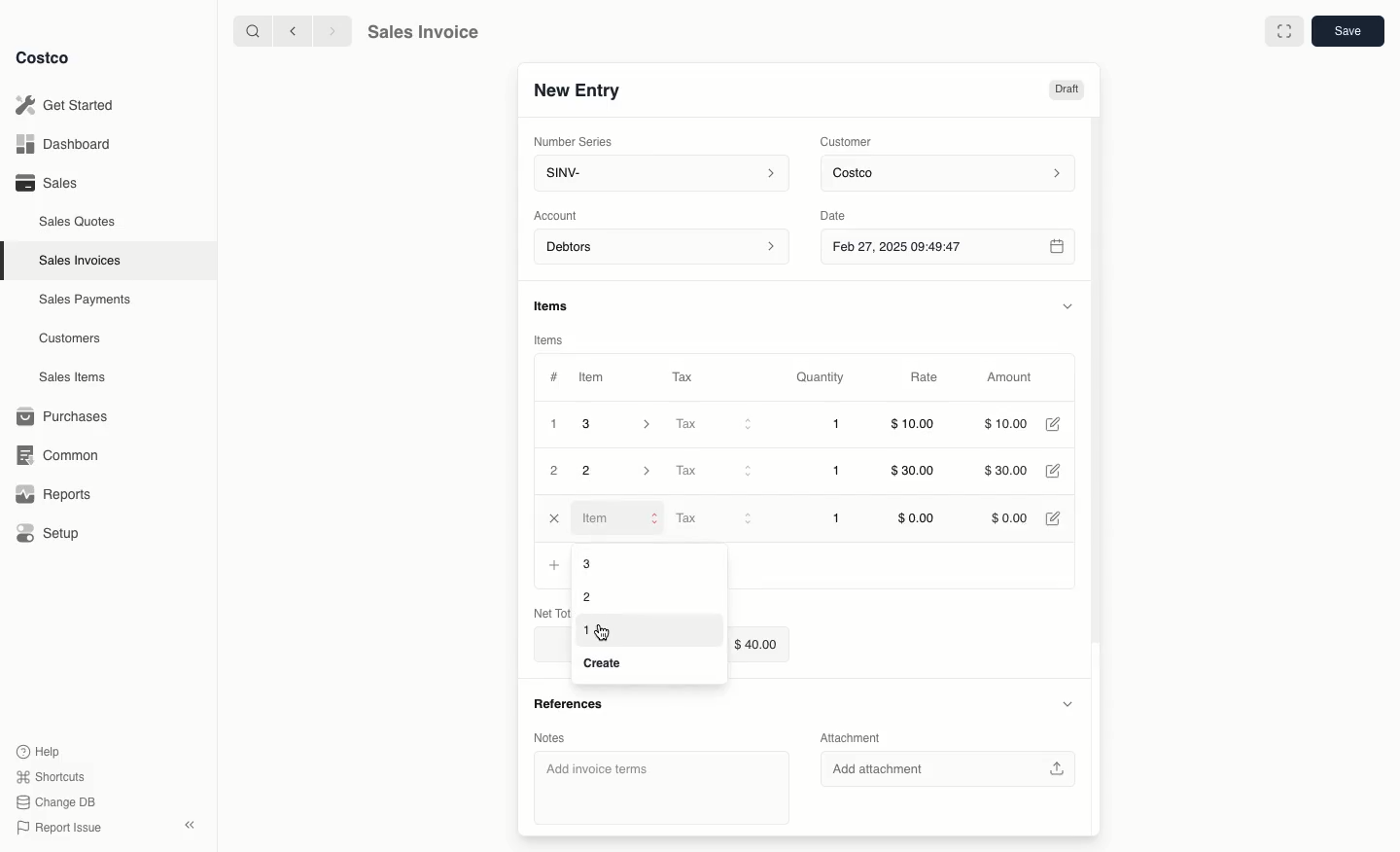  Describe the element at coordinates (85, 298) in the screenshot. I see `‘Sales Payments` at that location.